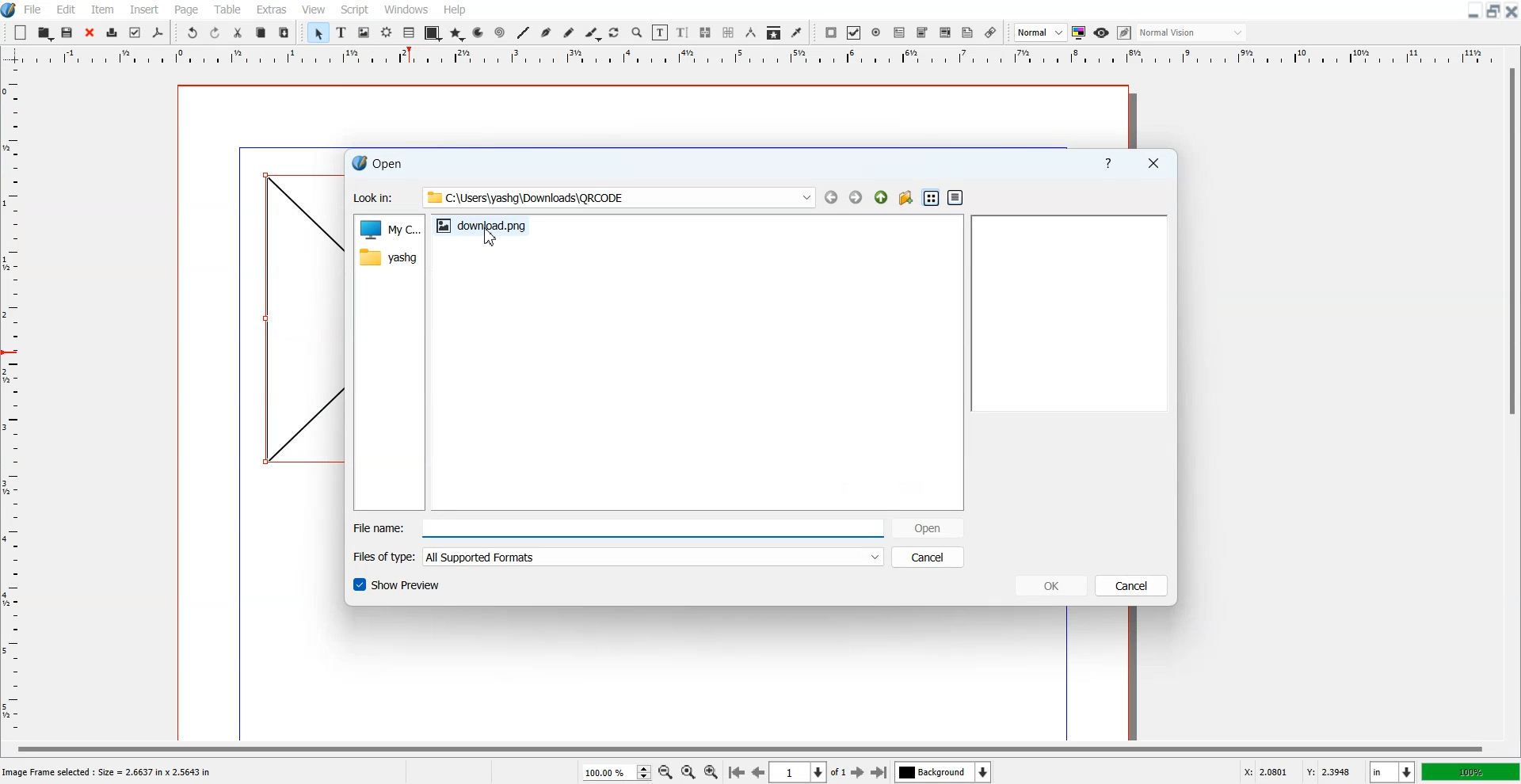 The image size is (1521, 784). I want to click on GO to Forward, so click(856, 196).